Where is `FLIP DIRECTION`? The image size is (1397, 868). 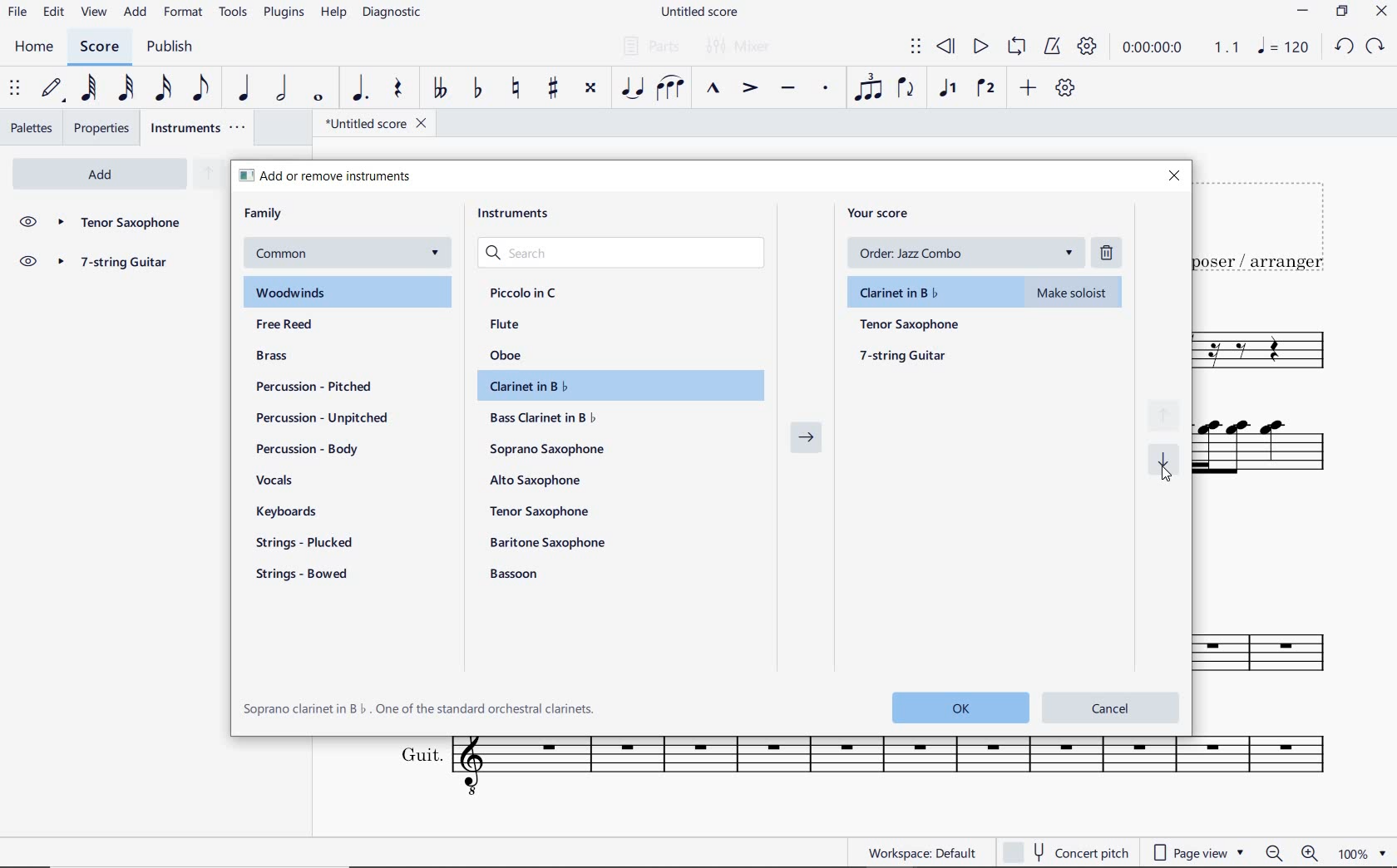
FLIP DIRECTION is located at coordinates (906, 89).